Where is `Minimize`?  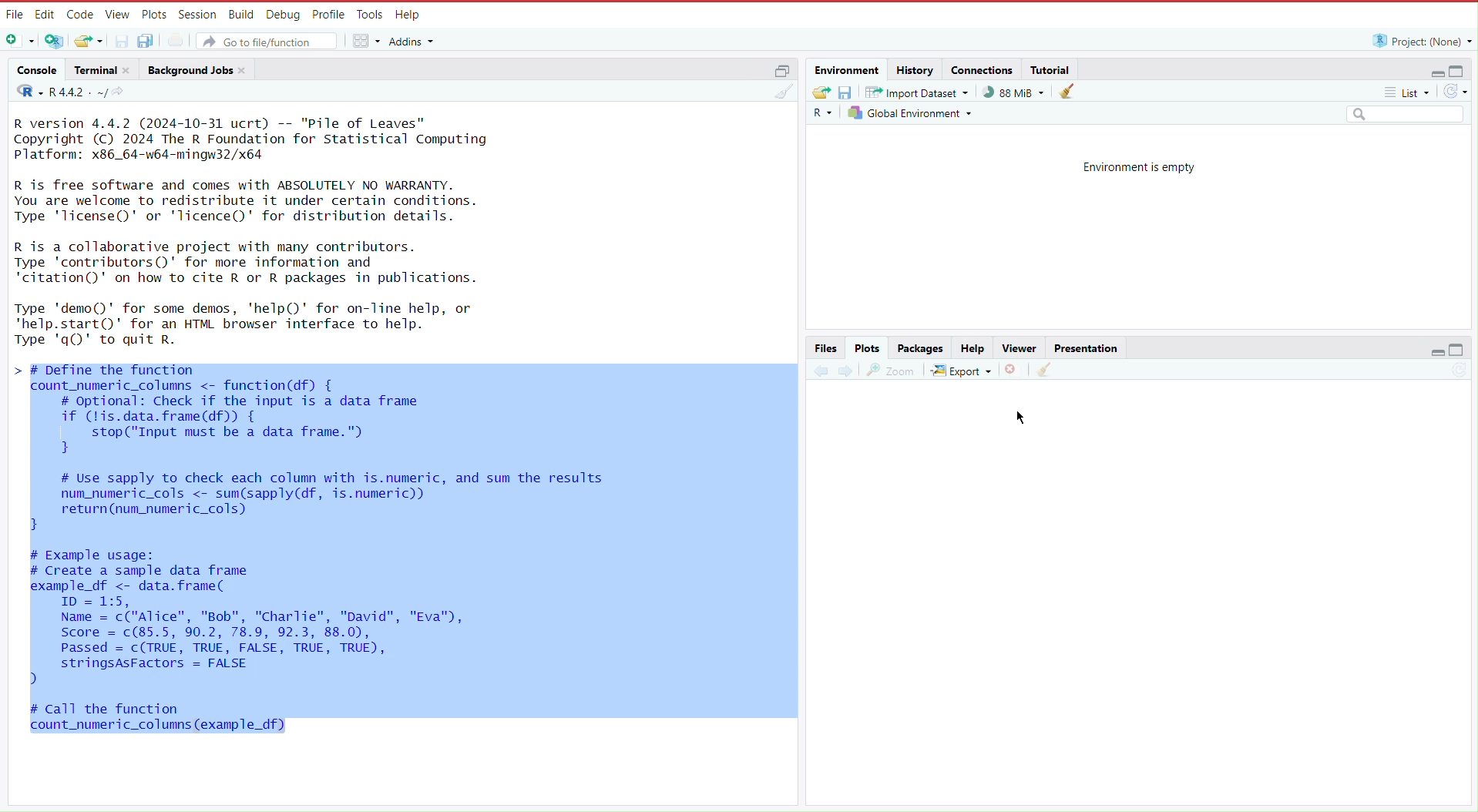
Minimize is located at coordinates (1431, 73).